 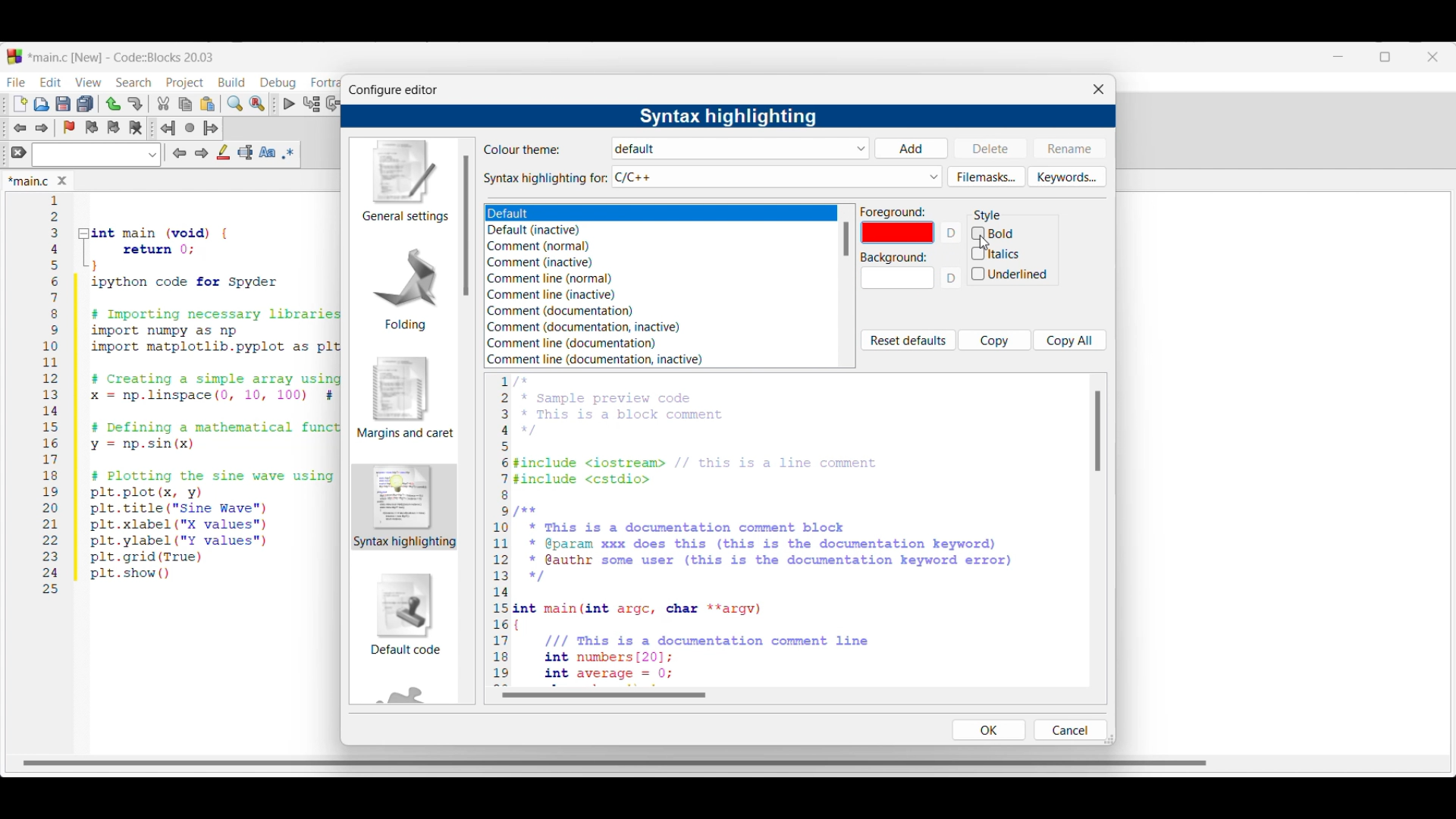 What do you see at coordinates (991, 147) in the screenshot?
I see `Delete` at bounding box center [991, 147].